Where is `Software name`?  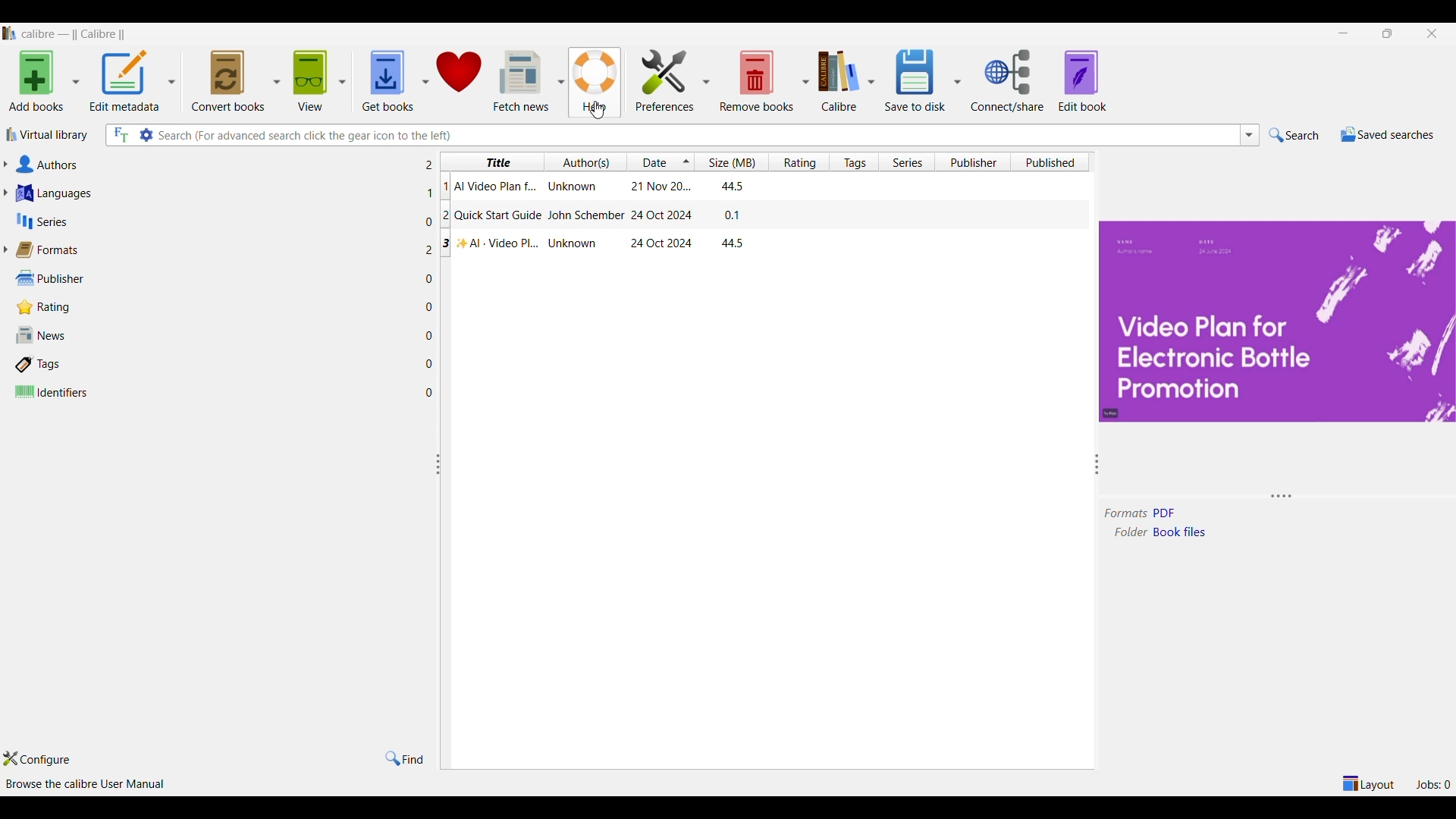
Software name is located at coordinates (75, 34).